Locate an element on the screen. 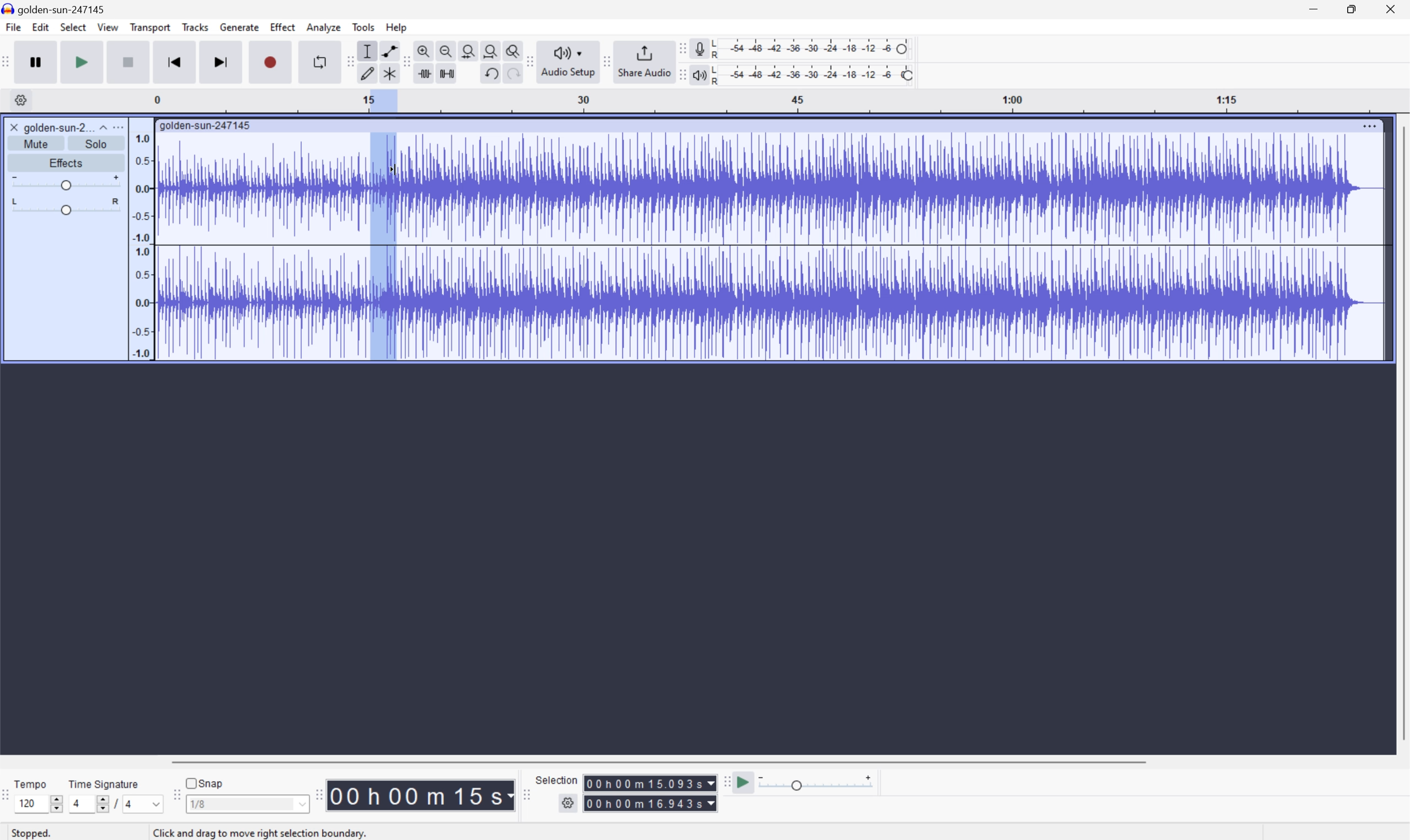  Zoom in is located at coordinates (423, 51).